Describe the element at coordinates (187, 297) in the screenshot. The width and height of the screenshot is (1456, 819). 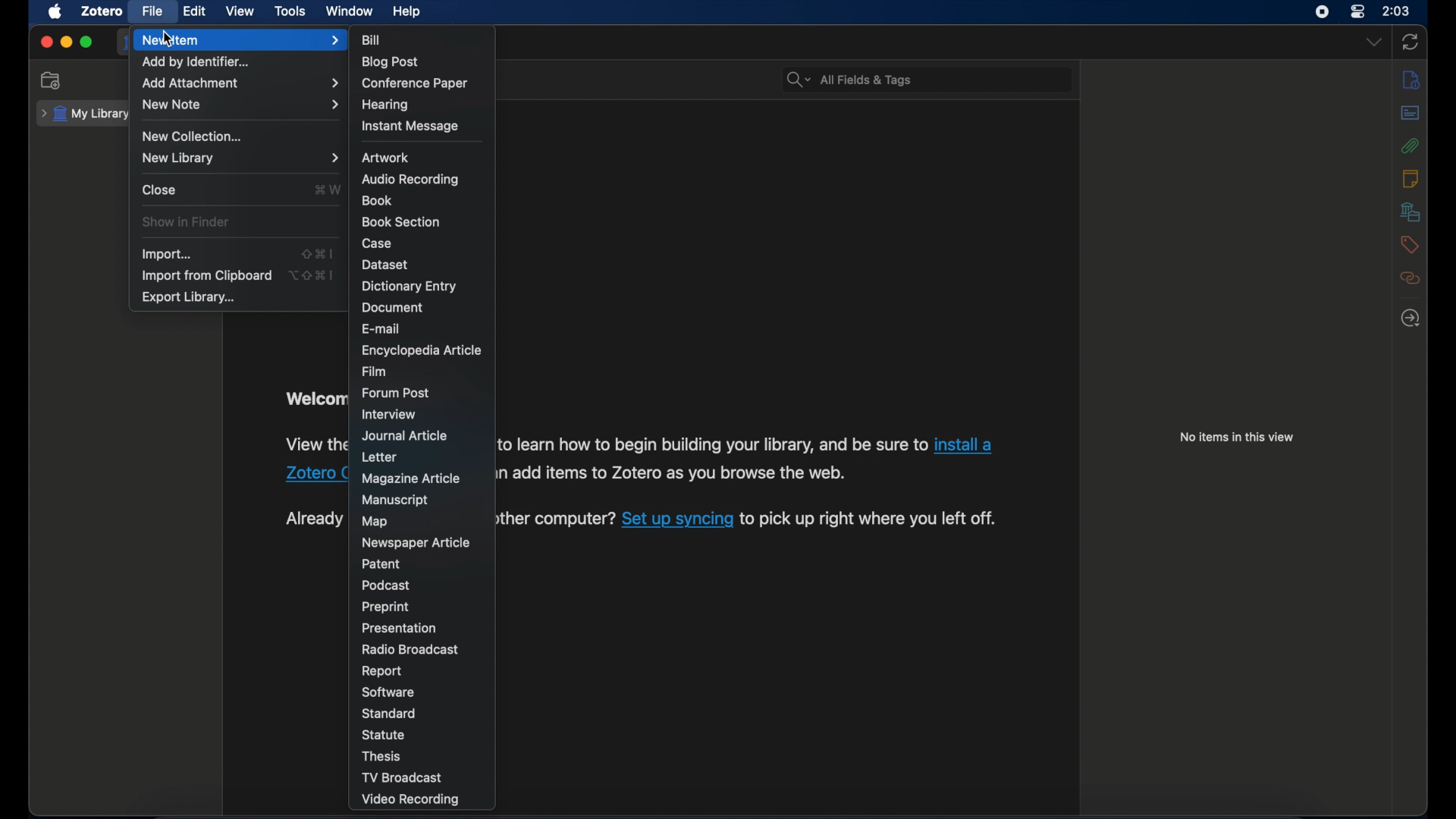
I see `export library` at that location.